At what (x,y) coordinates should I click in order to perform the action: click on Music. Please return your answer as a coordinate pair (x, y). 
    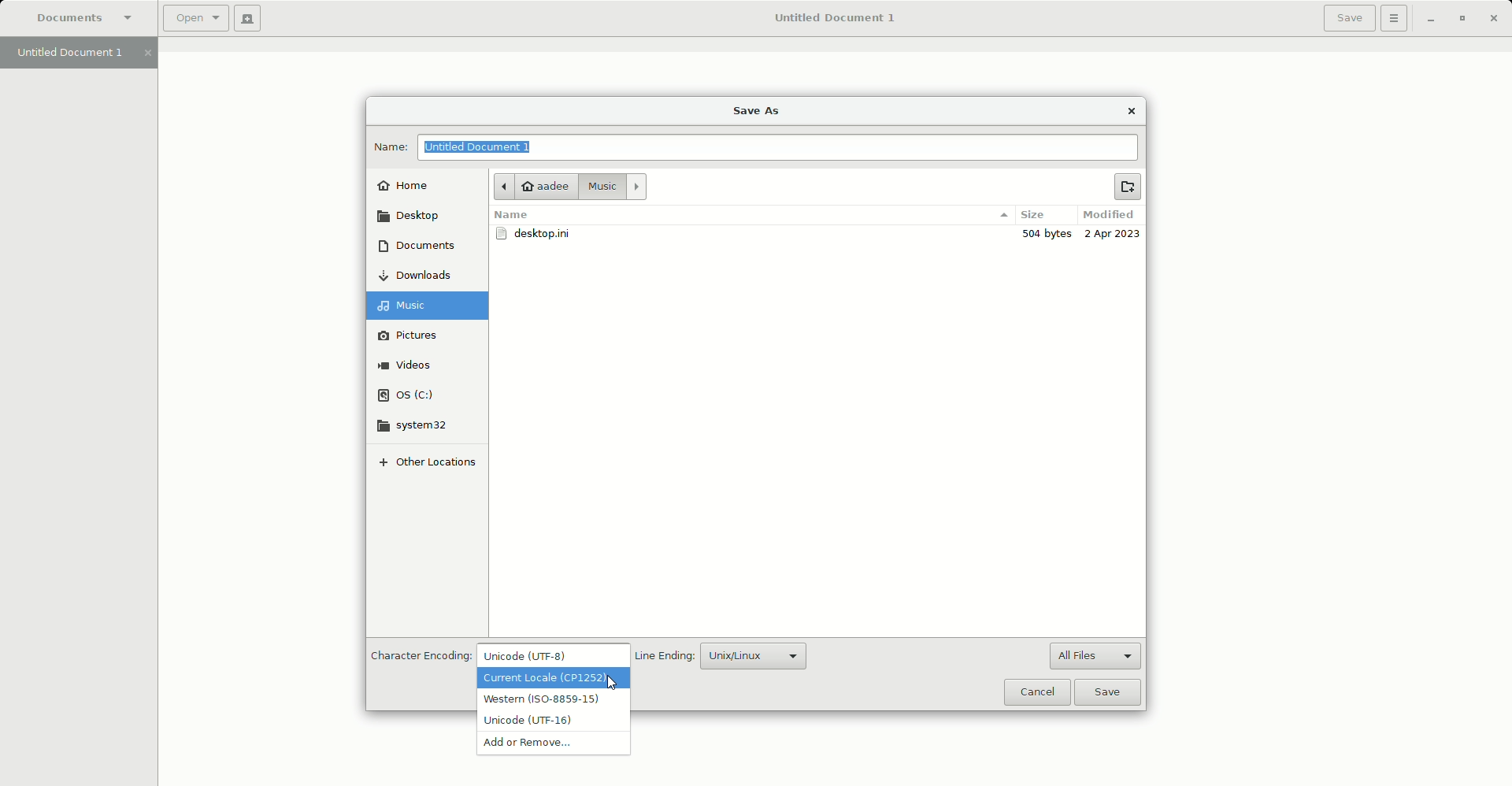
    Looking at the image, I should click on (427, 307).